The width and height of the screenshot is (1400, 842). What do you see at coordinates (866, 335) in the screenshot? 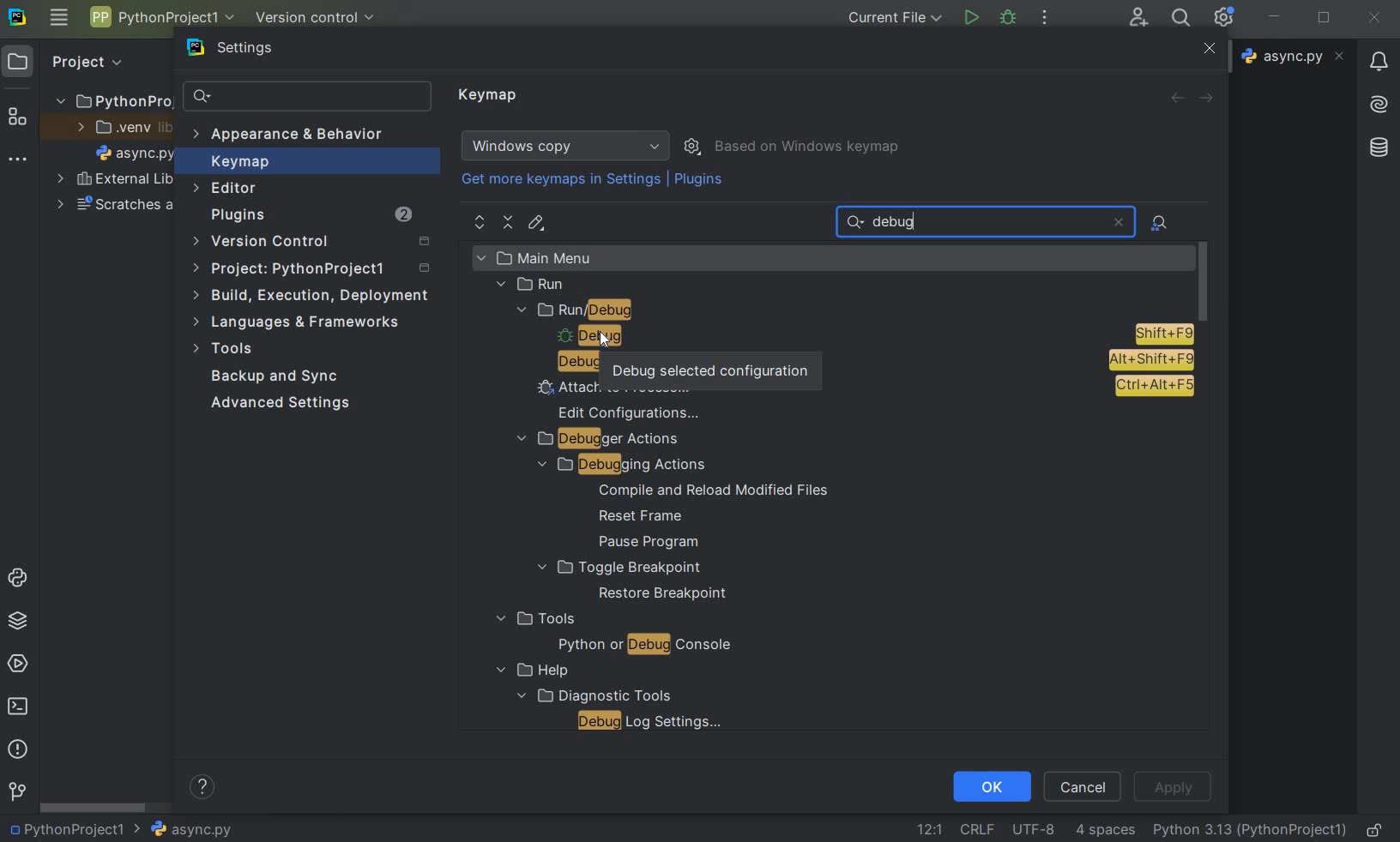
I see `debug` at bounding box center [866, 335].